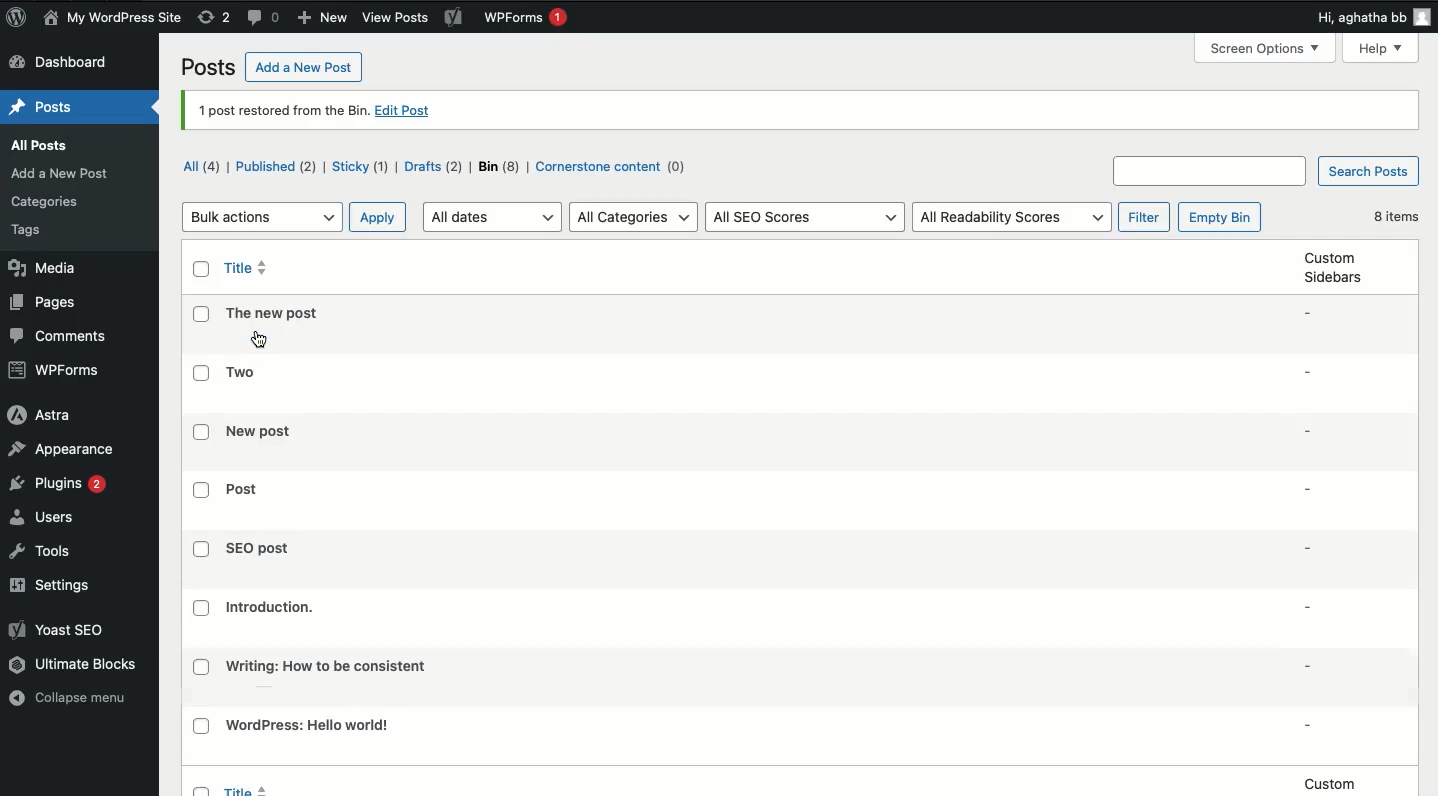 This screenshot has width=1438, height=796. Describe the element at coordinates (323, 18) in the screenshot. I see `New` at that location.